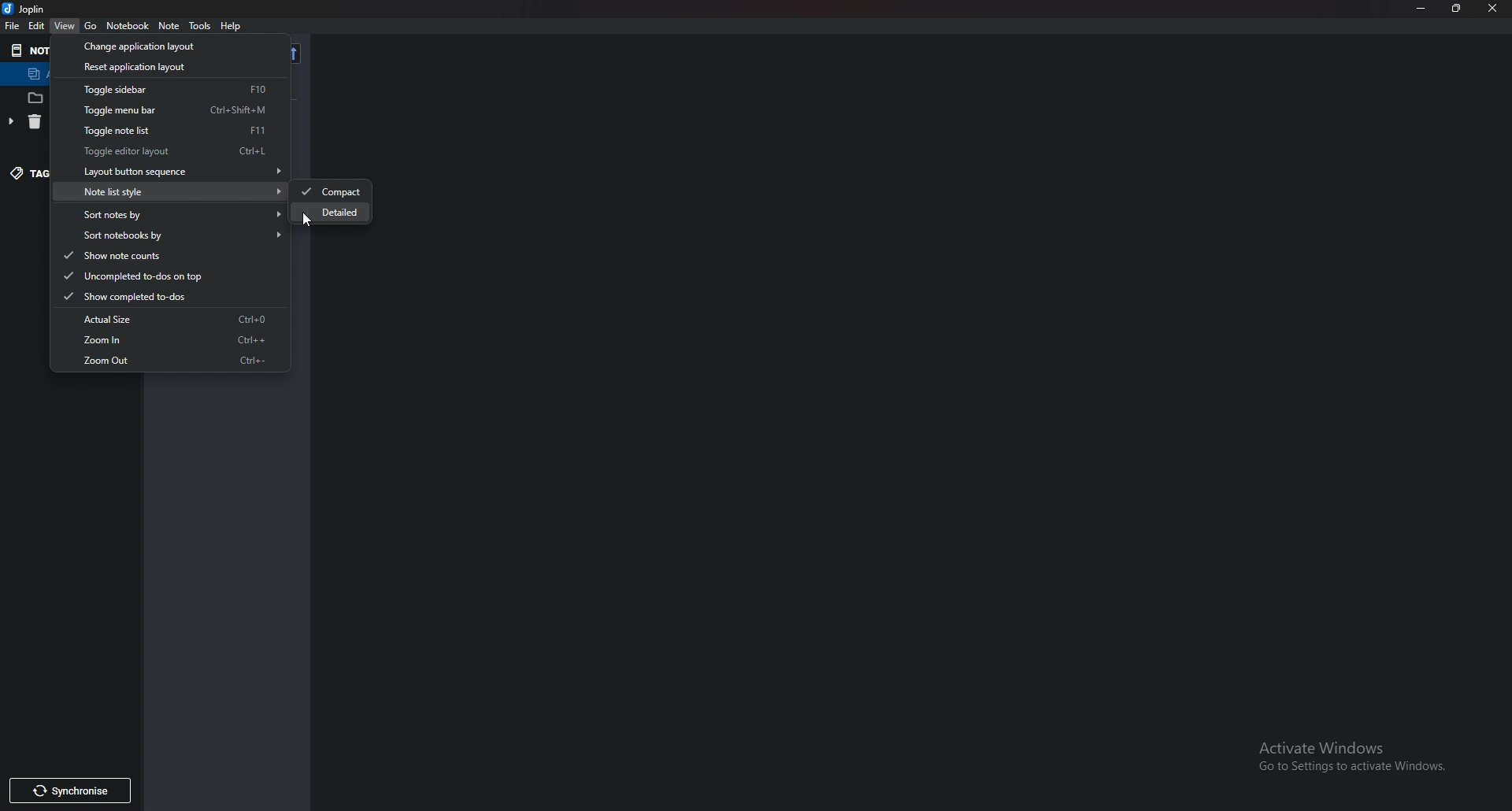 The image size is (1512, 811). Describe the element at coordinates (174, 216) in the screenshot. I see `Sort notes by` at that location.